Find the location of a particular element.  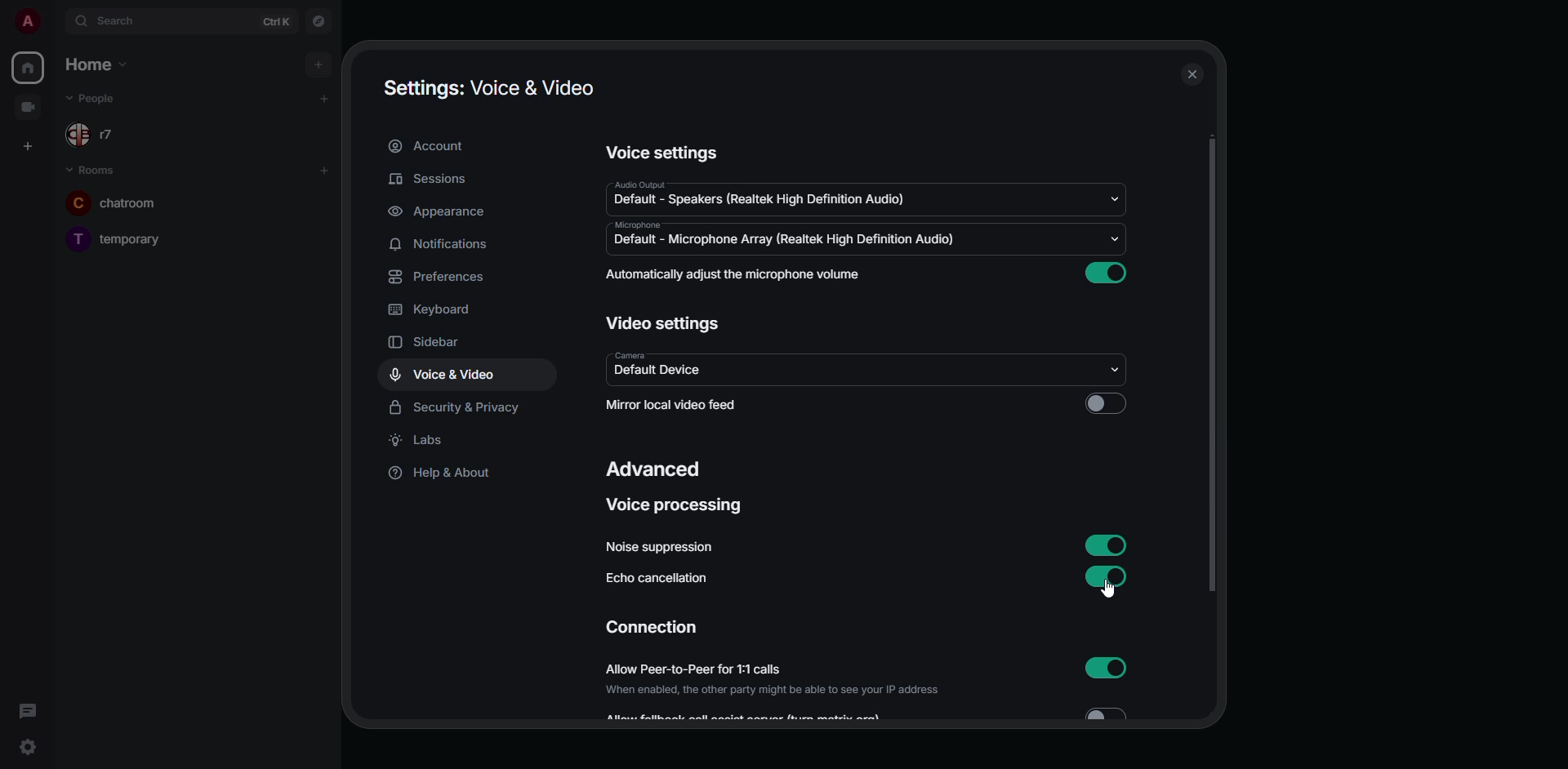

add is located at coordinates (325, 96).